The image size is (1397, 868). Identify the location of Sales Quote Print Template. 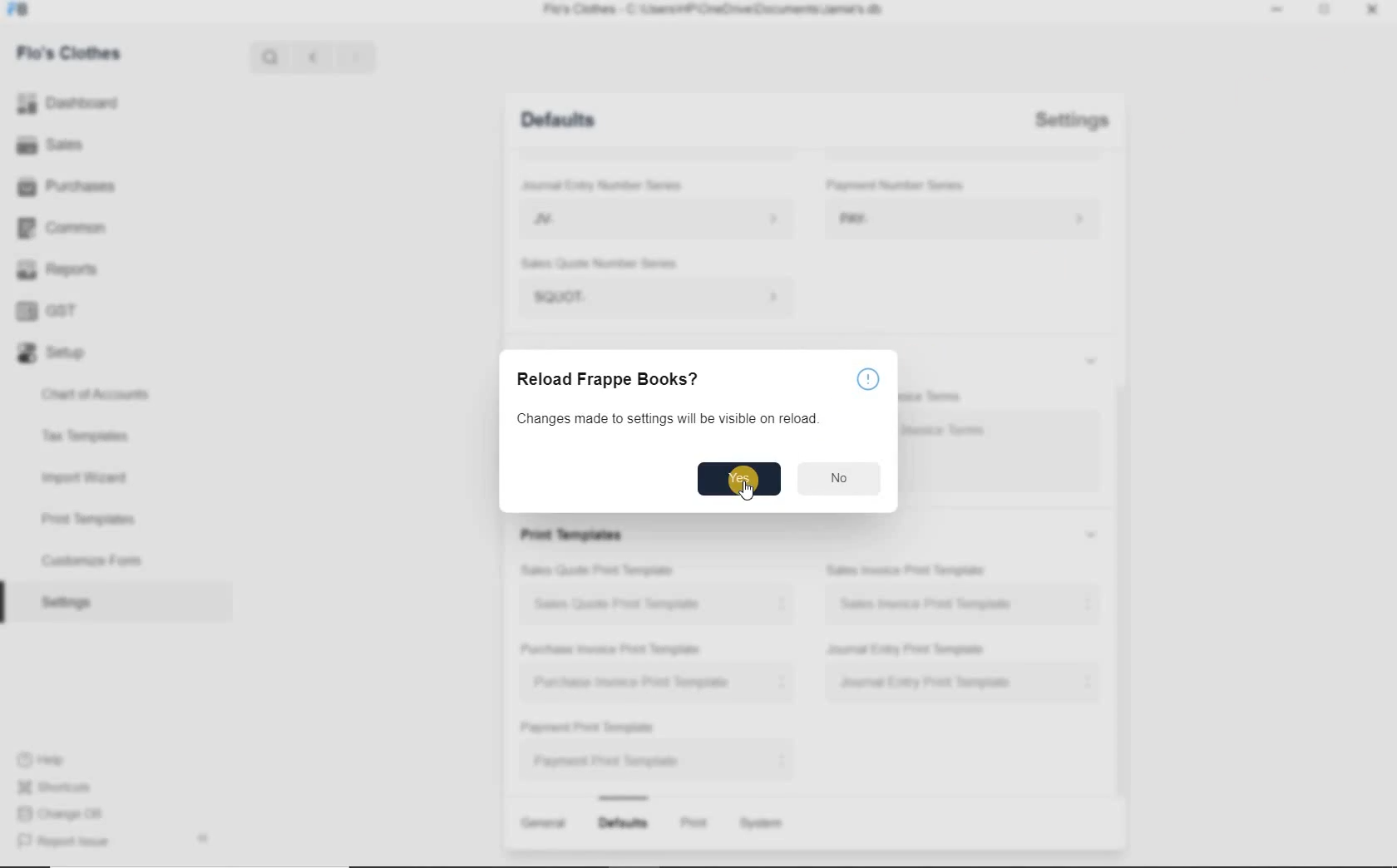
(601, 568).